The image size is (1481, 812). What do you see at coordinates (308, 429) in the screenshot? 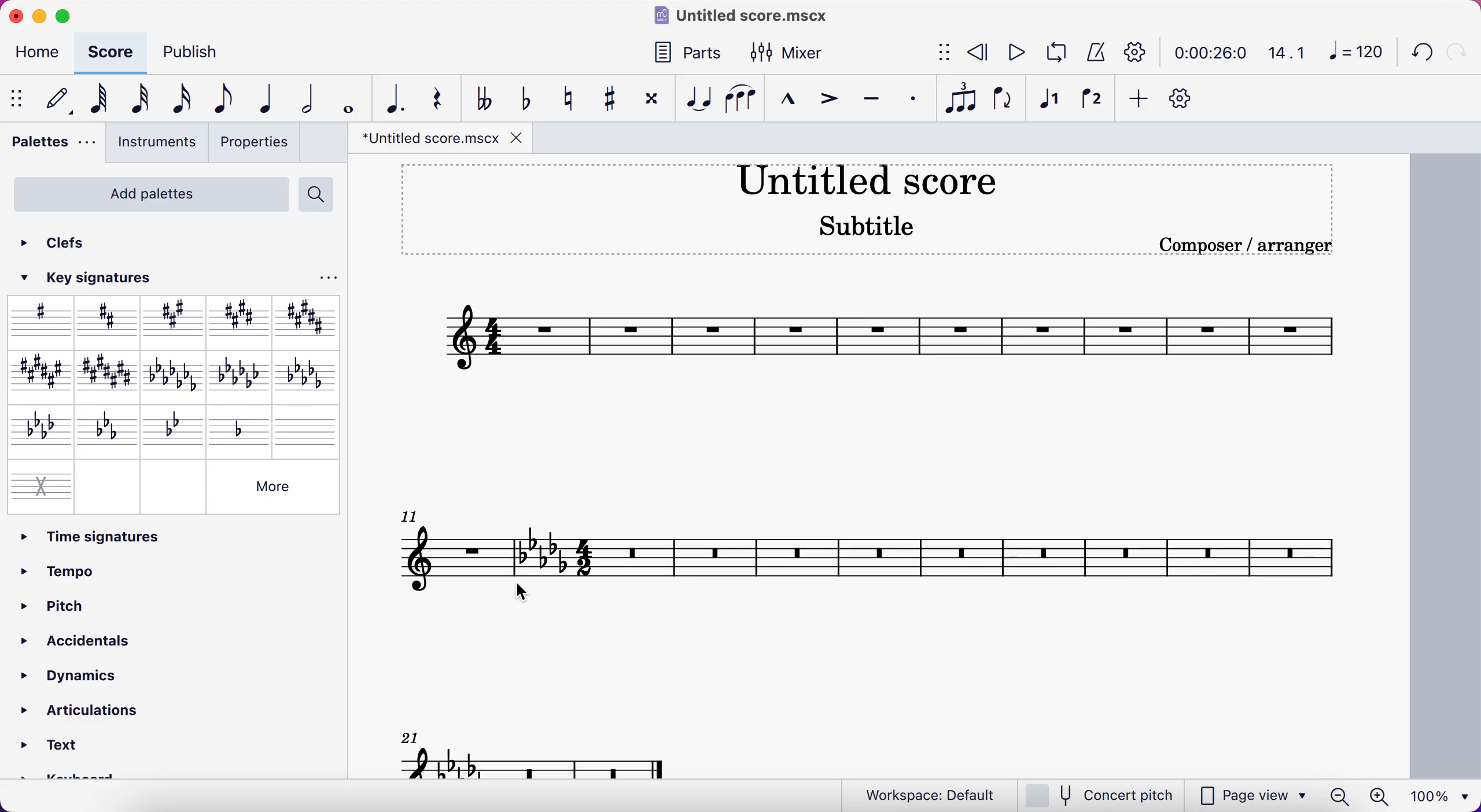
I see `blank` at bounding box center [308, 429].